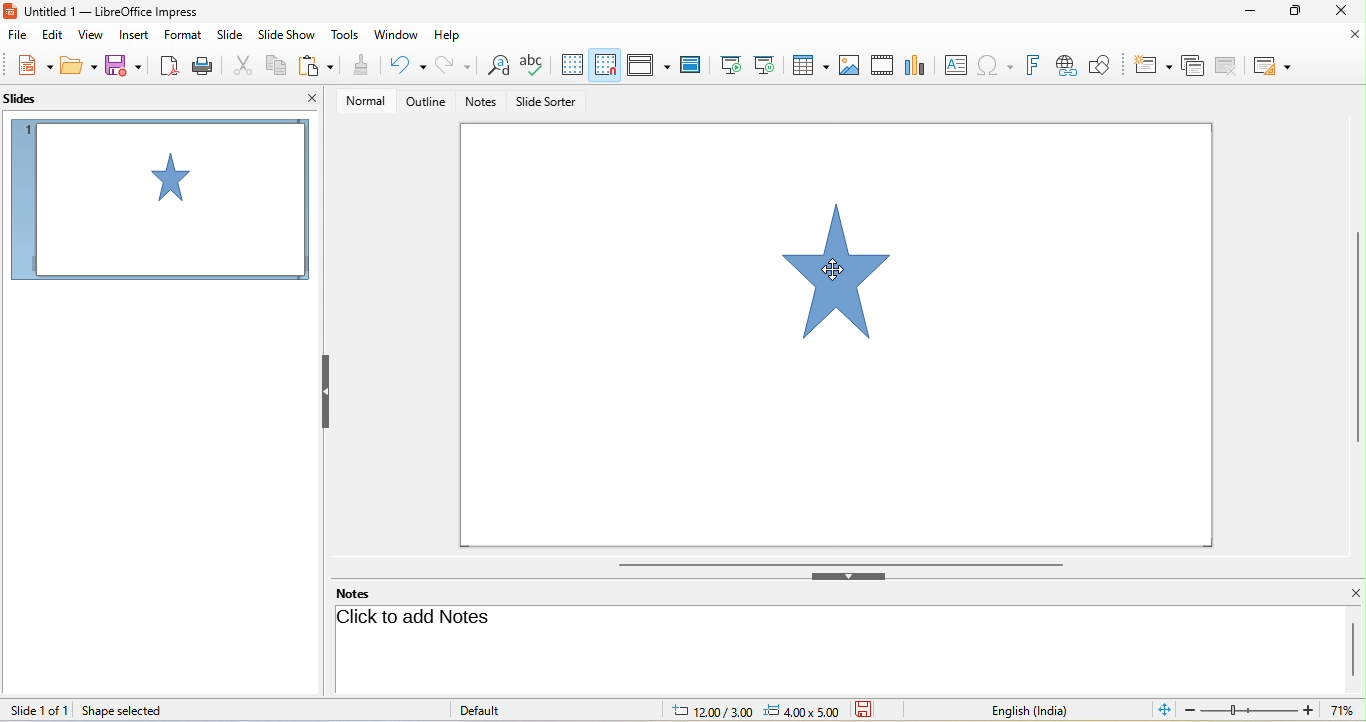  Describe the element at coordinates (728, 65) in the screenshot. I see `start from first slide` at that location.